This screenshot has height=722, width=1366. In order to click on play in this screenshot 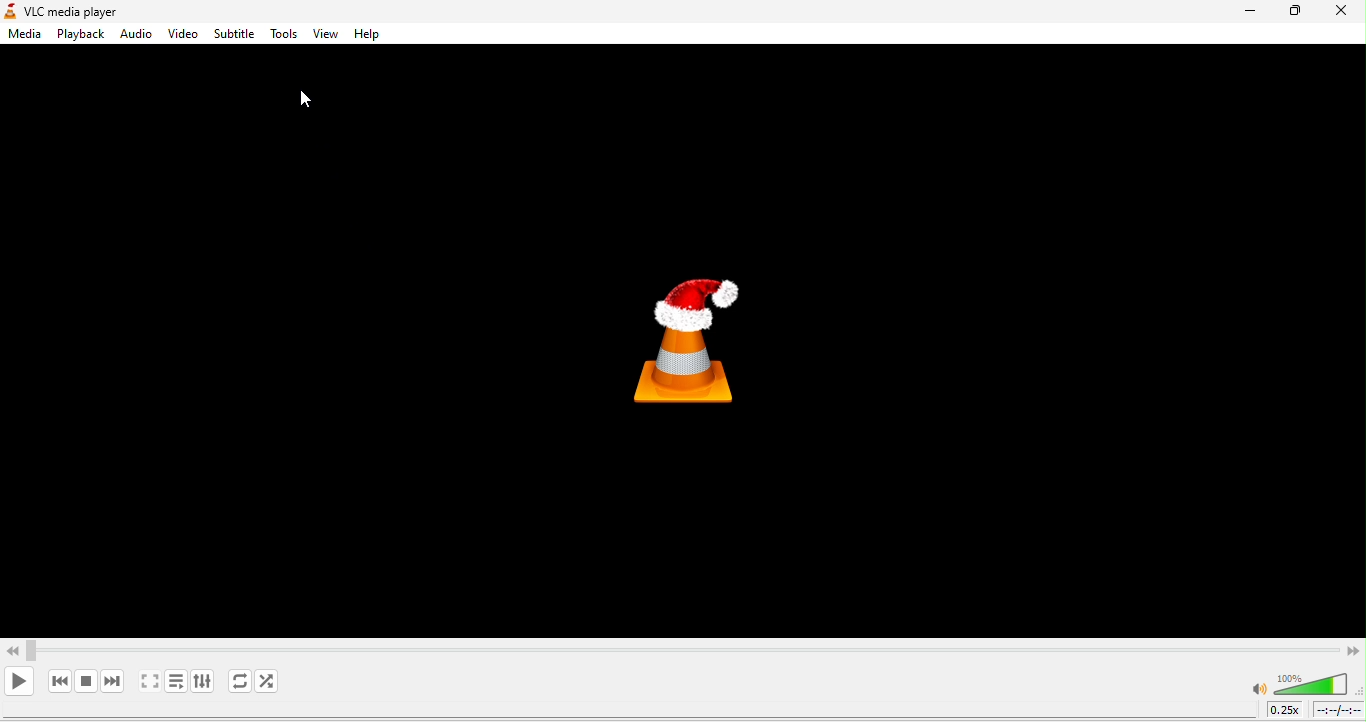, I will do `click(20, 681)`.